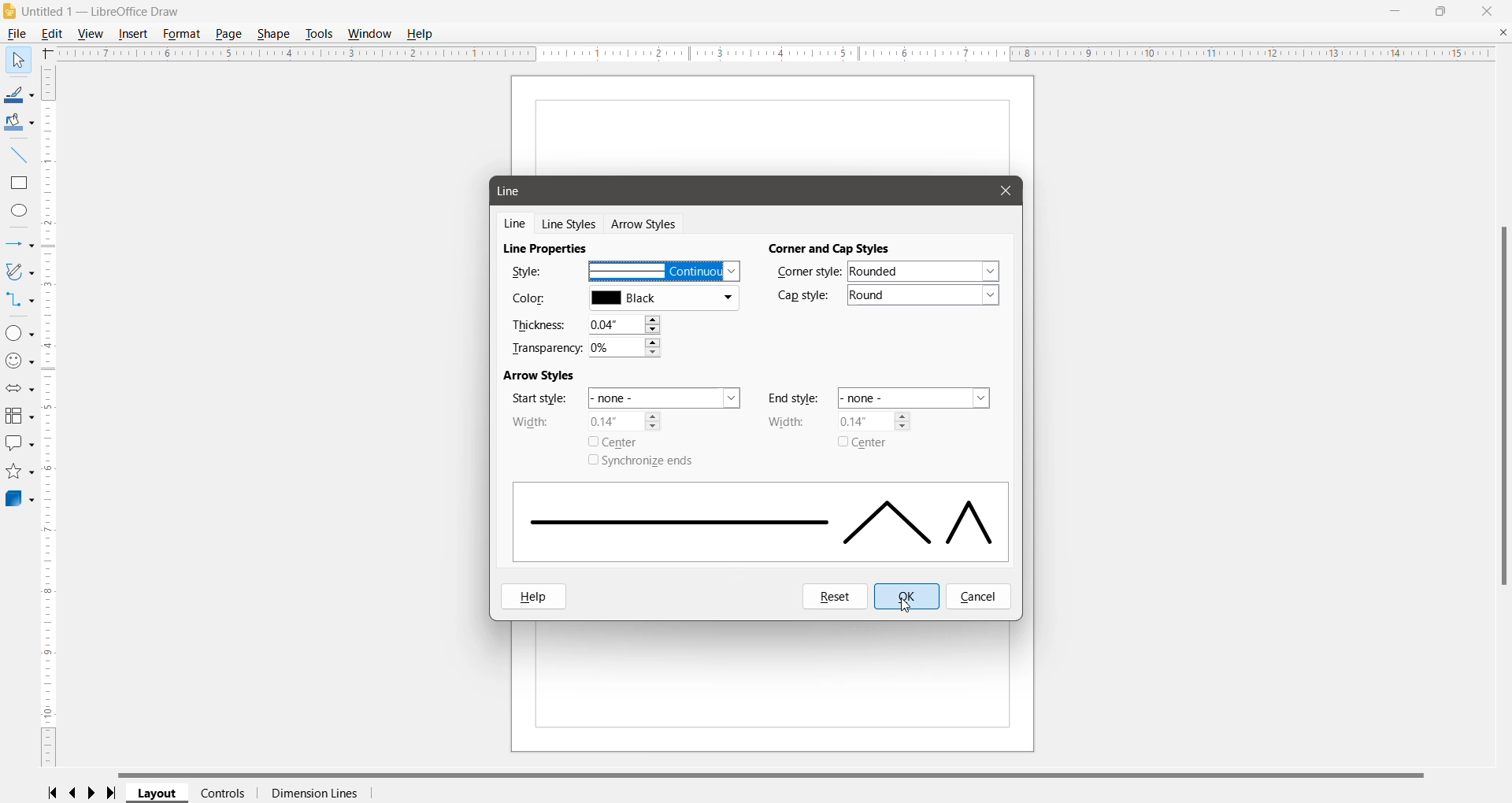  What do you see at coordinates (869, 443) in the screenshot?
I see `Center` at bounding box center [869, 443].